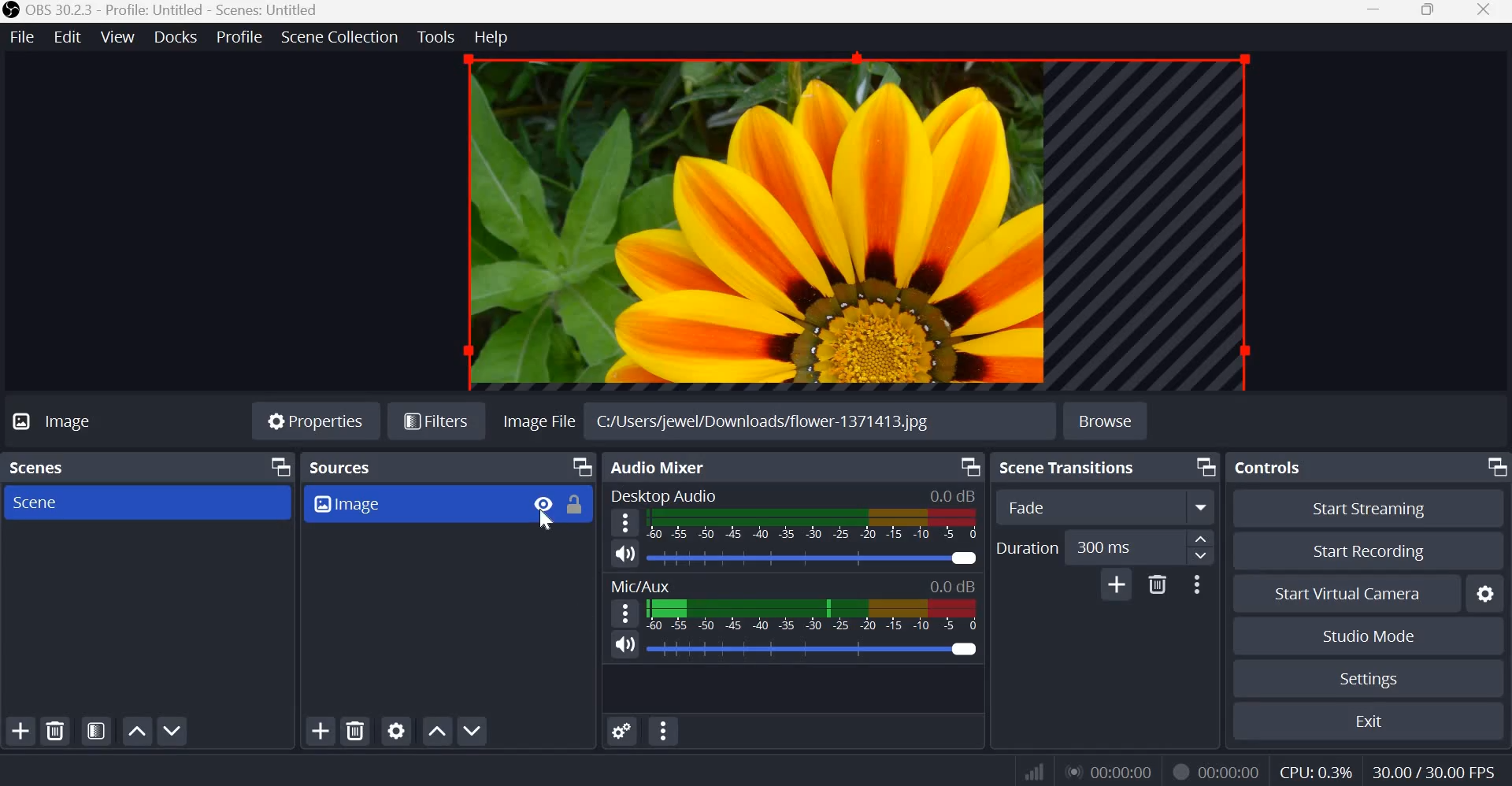 The image size is (1512, 786). Describe the element at coordinates (1027, 547) in the screenshot. I see `Duration` at that location.